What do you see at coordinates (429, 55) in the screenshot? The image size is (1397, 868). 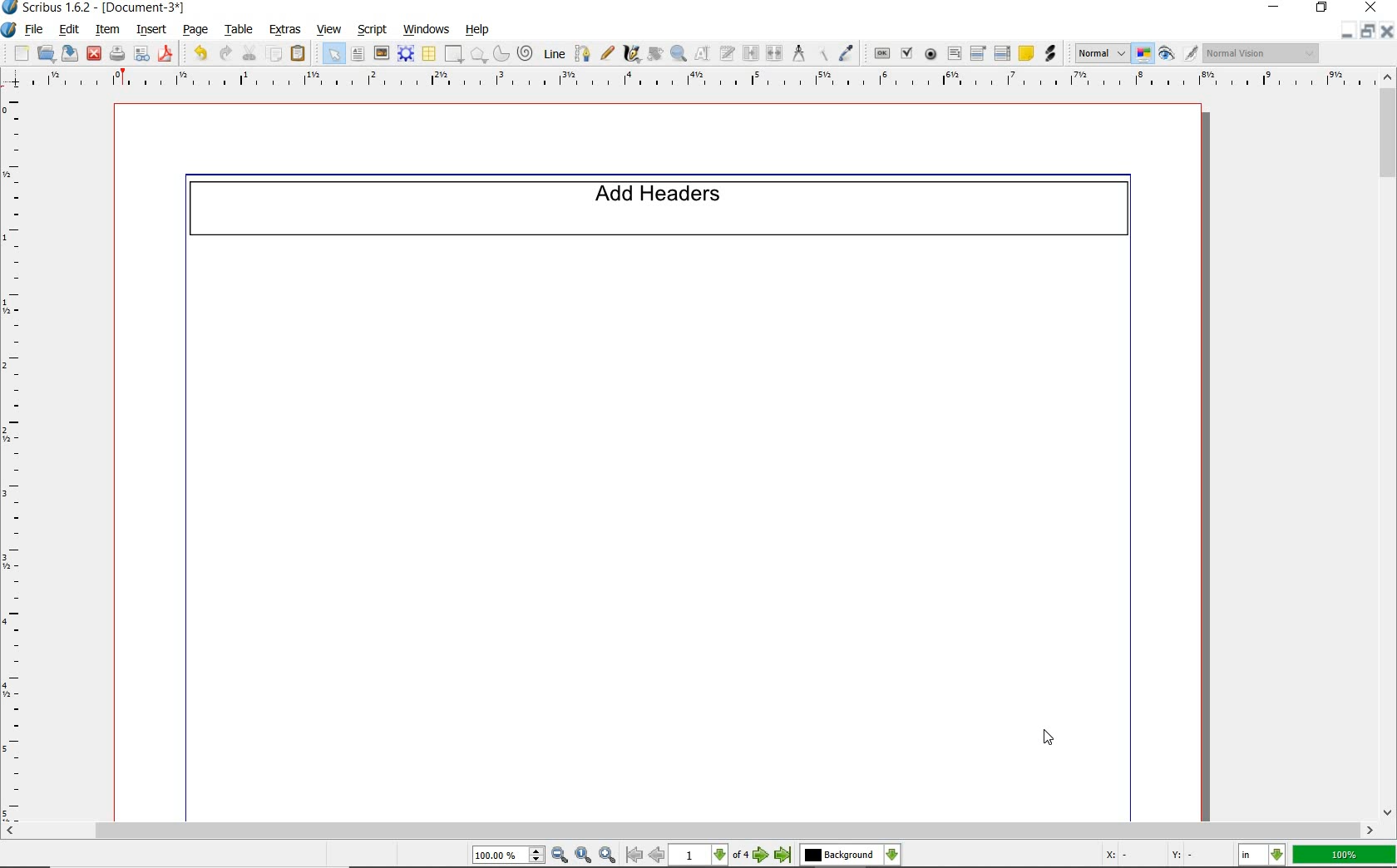 I see `table` at bounding box center [429, 55].